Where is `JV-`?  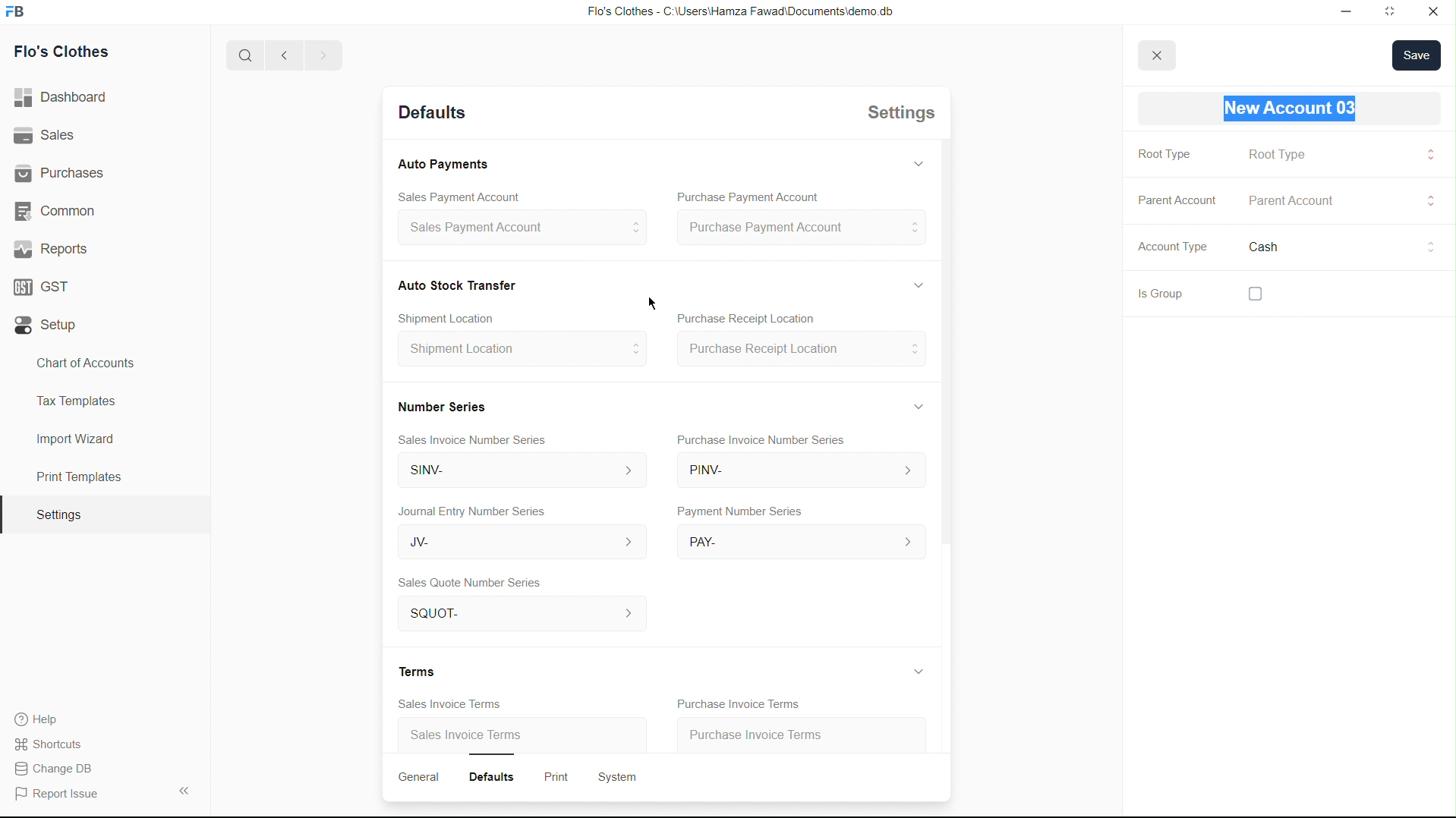
JV- is located at coordinates (513, 543).